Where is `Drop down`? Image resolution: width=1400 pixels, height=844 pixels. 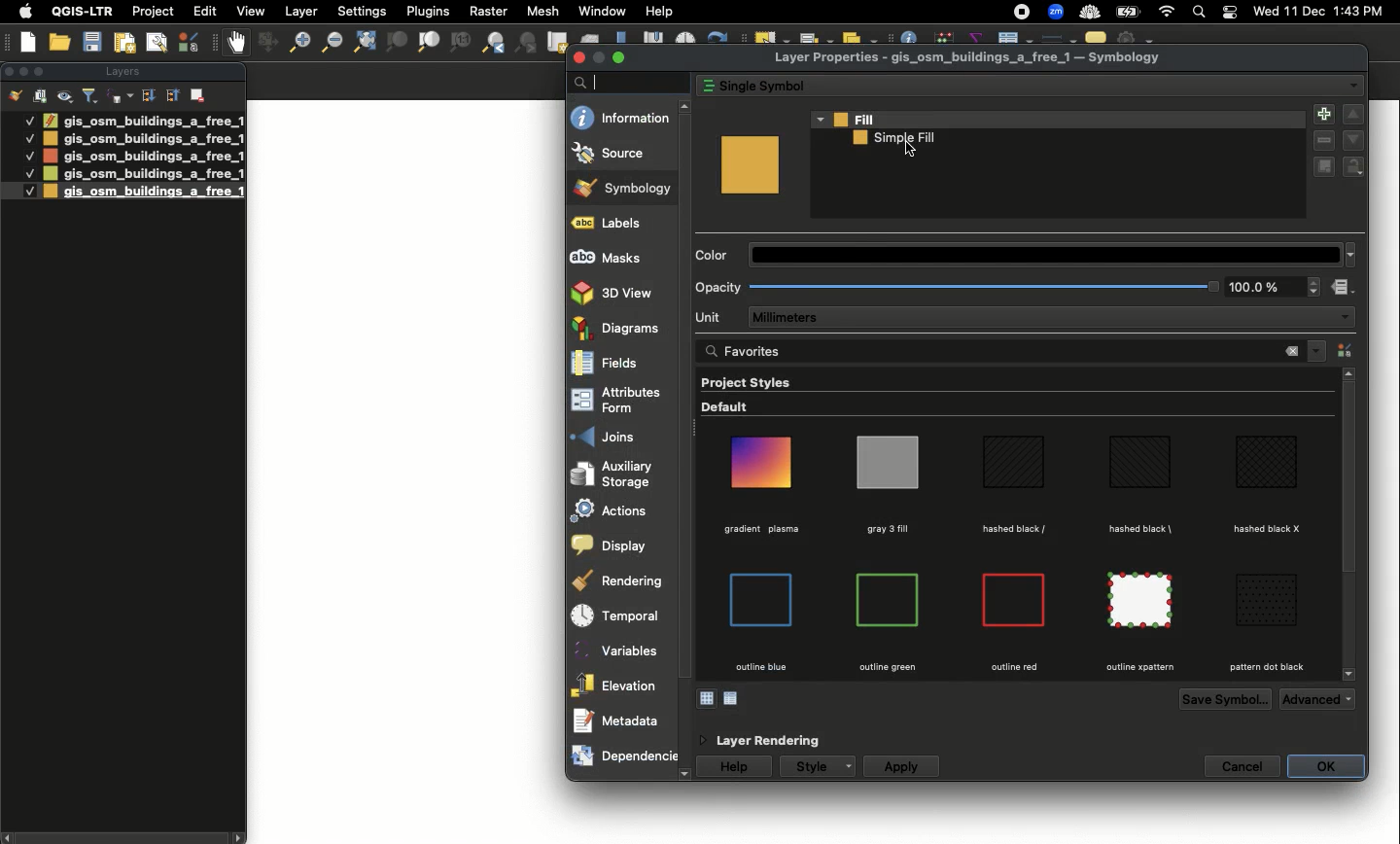
Drop down is located at coordinates (1343, 318).